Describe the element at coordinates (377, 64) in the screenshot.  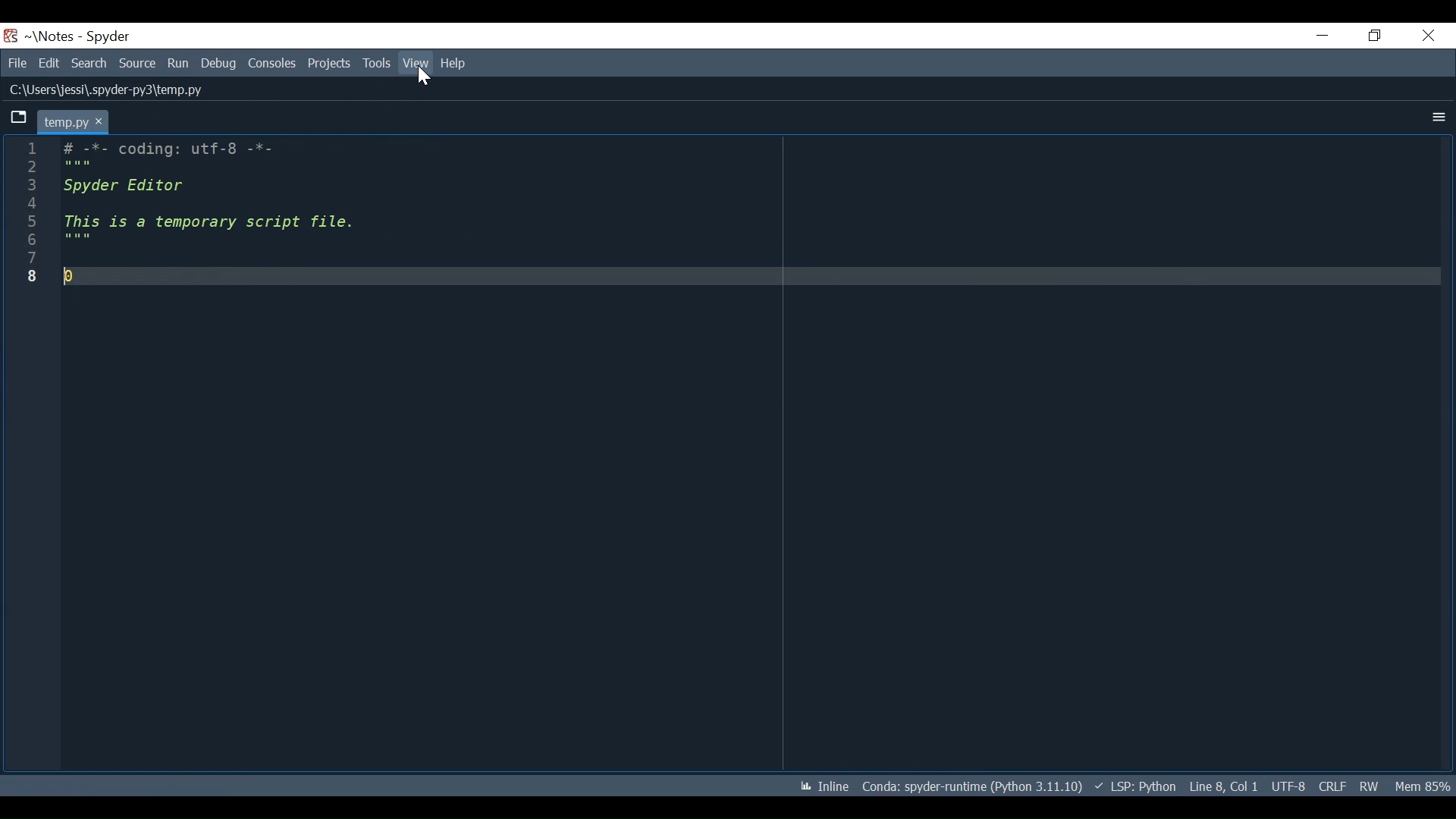
I see `Tools` at that location.